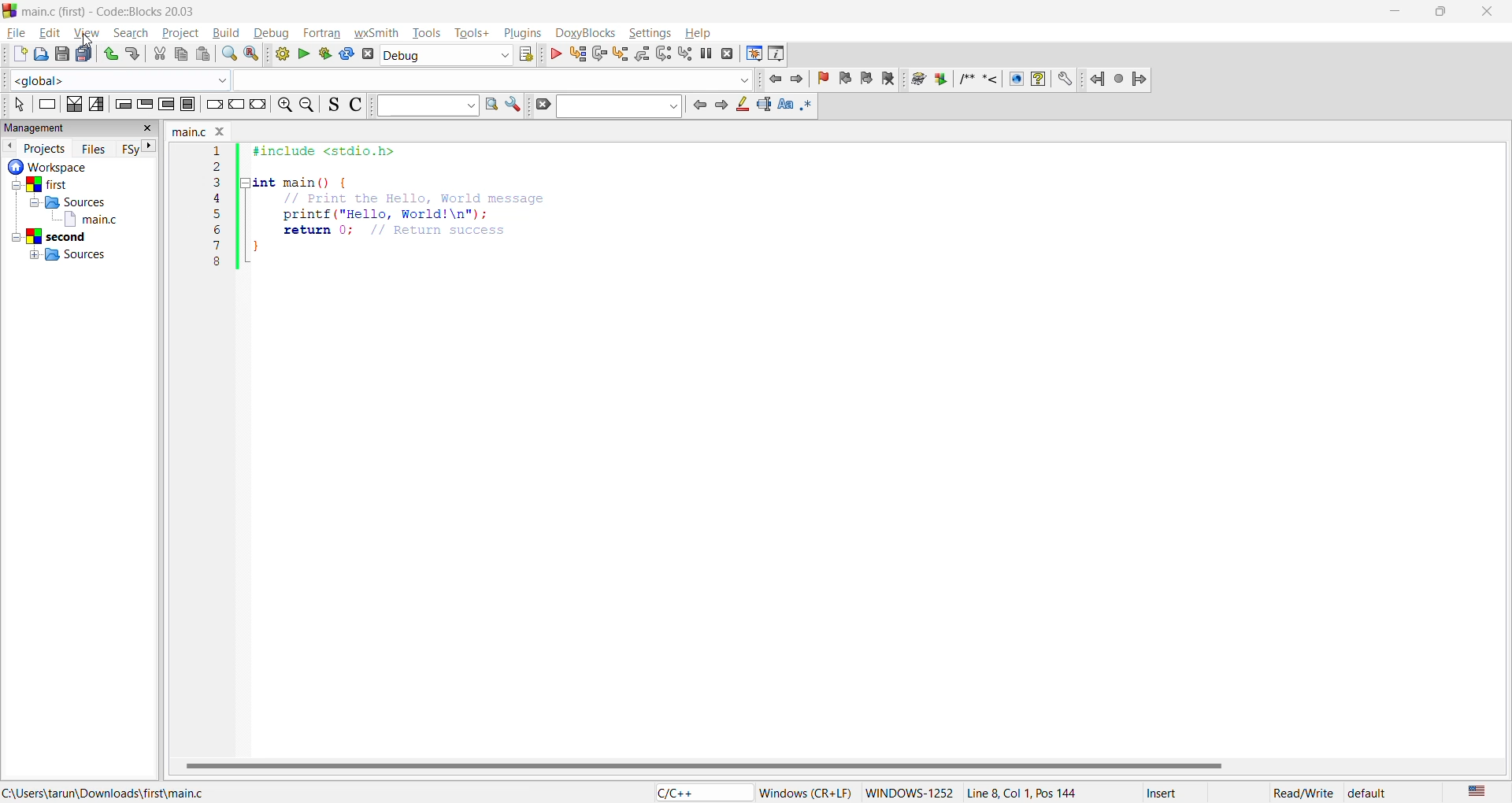 The image size is (1512, 803). What do you see at coordinates (980, 78) in the screenshot?
I see `symbols` at bounding box center [980, 78].